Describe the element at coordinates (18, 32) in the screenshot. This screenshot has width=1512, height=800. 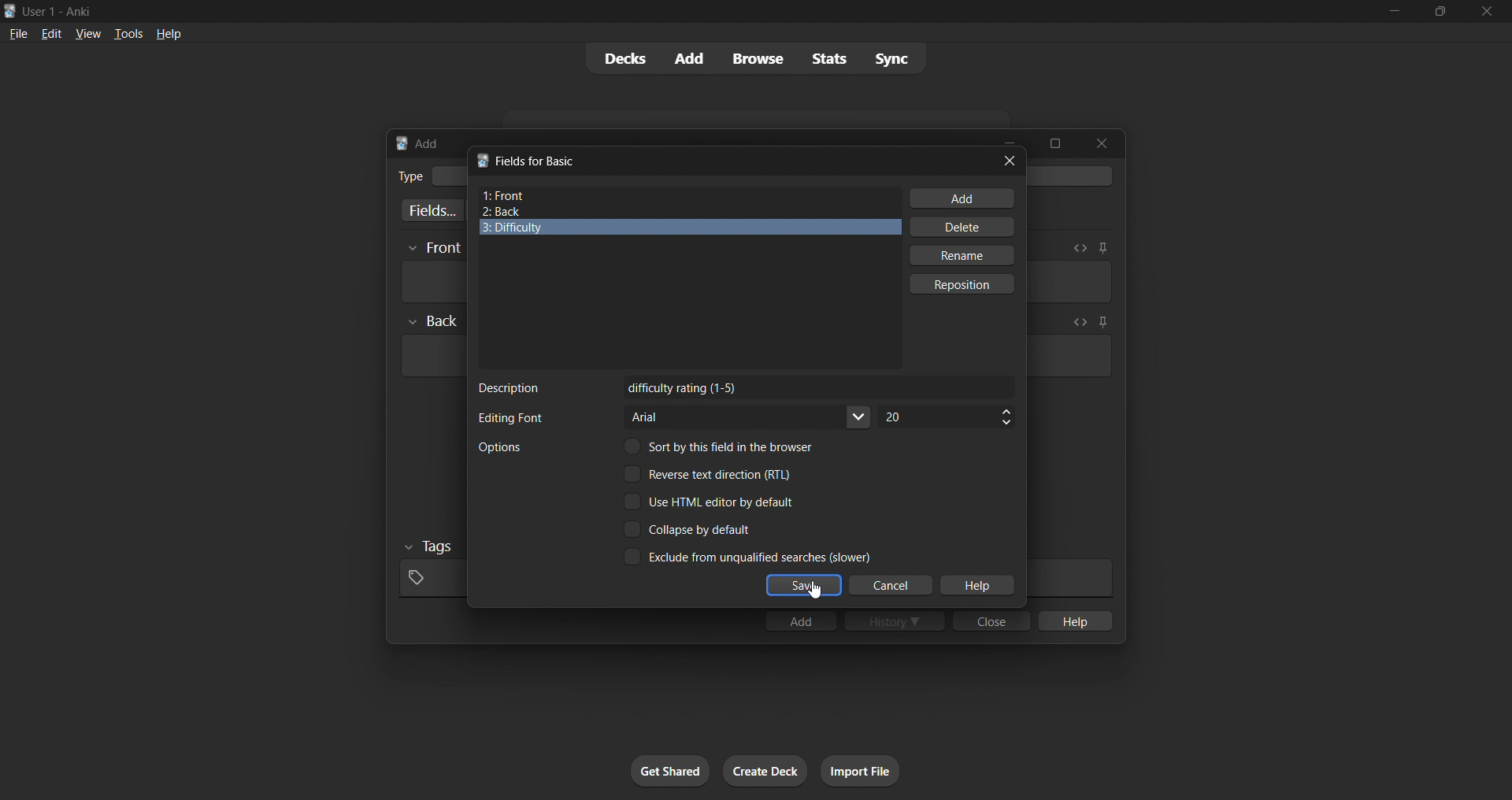
I see `file` at that location.